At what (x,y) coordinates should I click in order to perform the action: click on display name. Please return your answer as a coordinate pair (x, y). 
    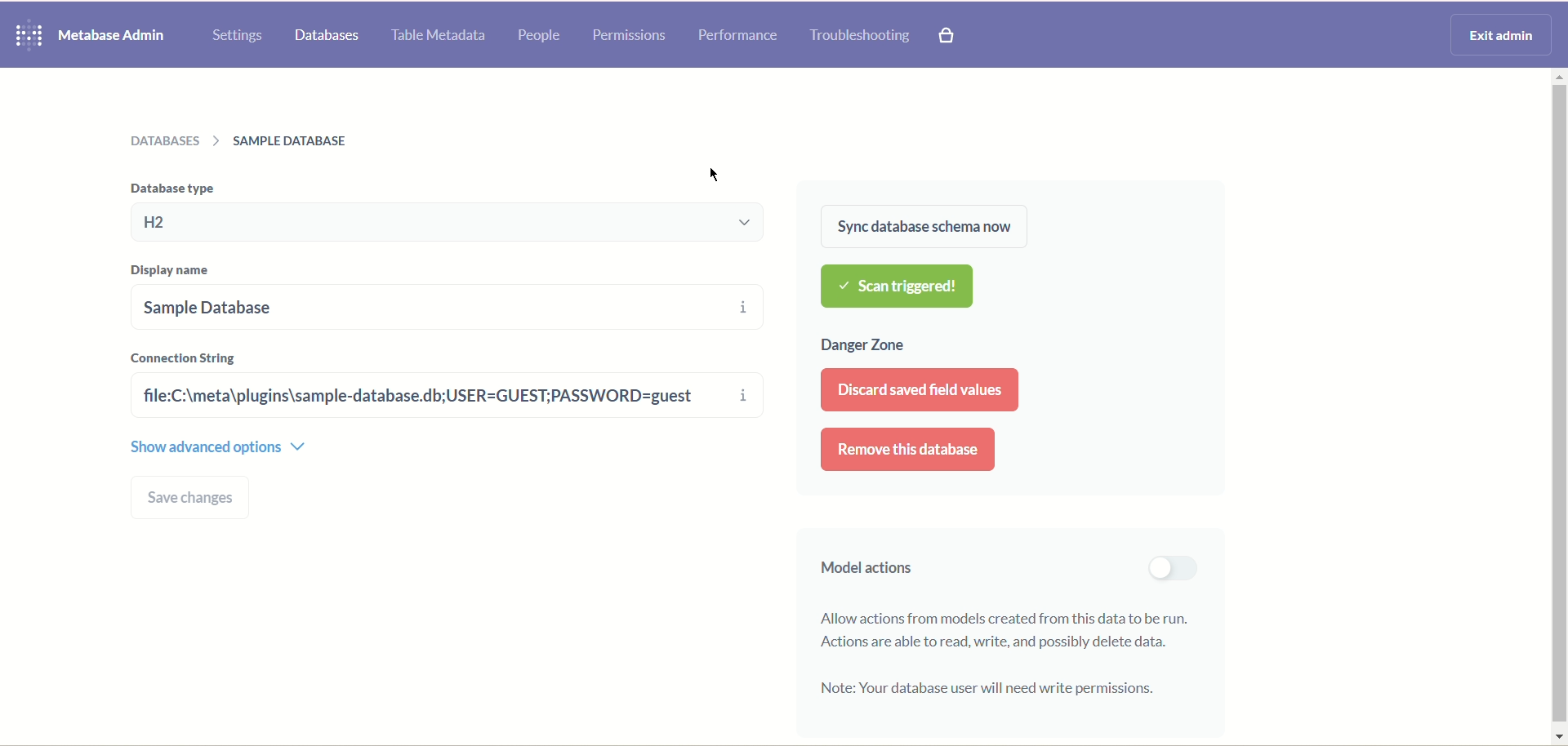
    Looking at the image, I should click on (176, 271).